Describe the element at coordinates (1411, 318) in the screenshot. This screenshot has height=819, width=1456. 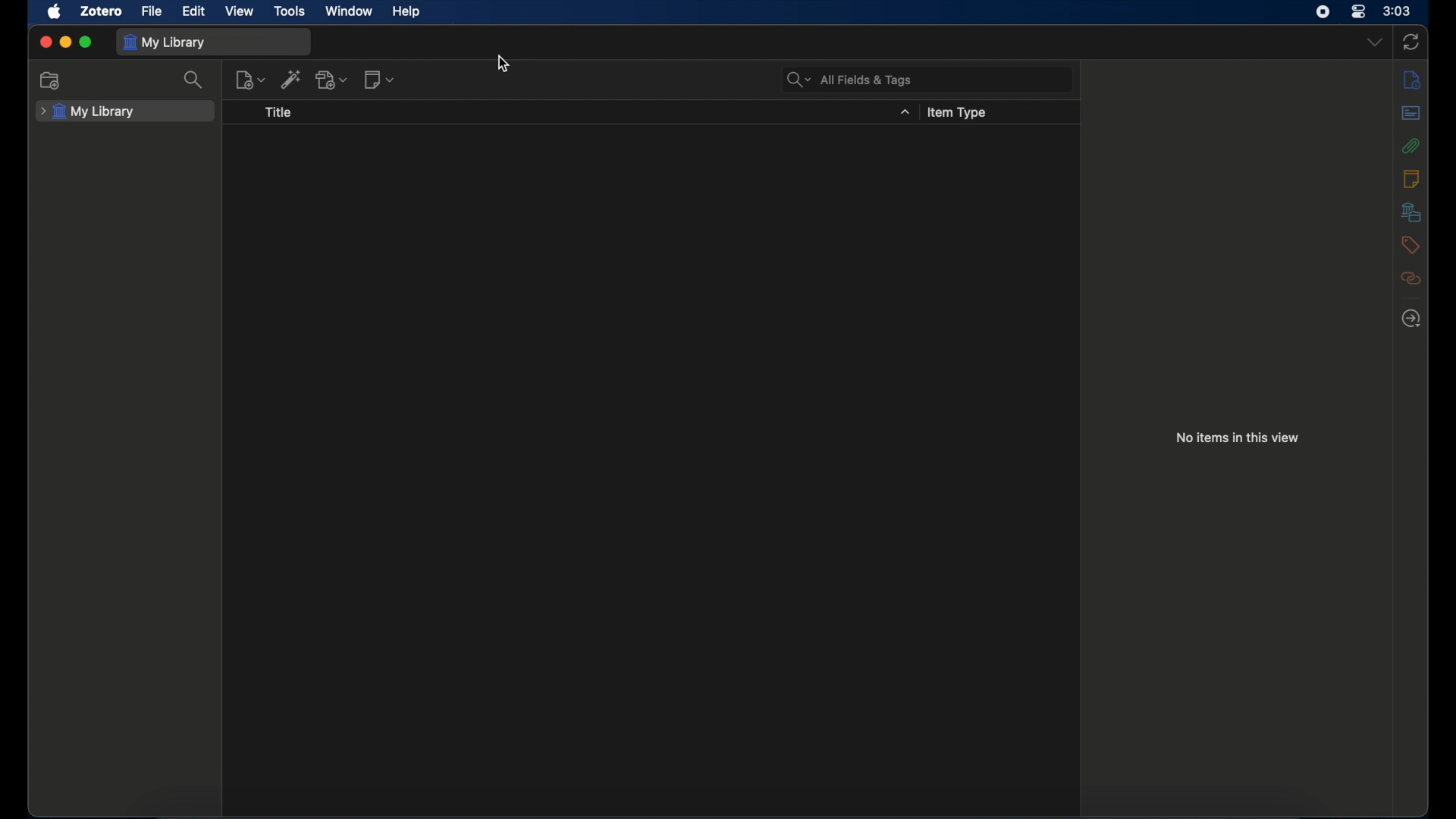
I see `locate` at that location.